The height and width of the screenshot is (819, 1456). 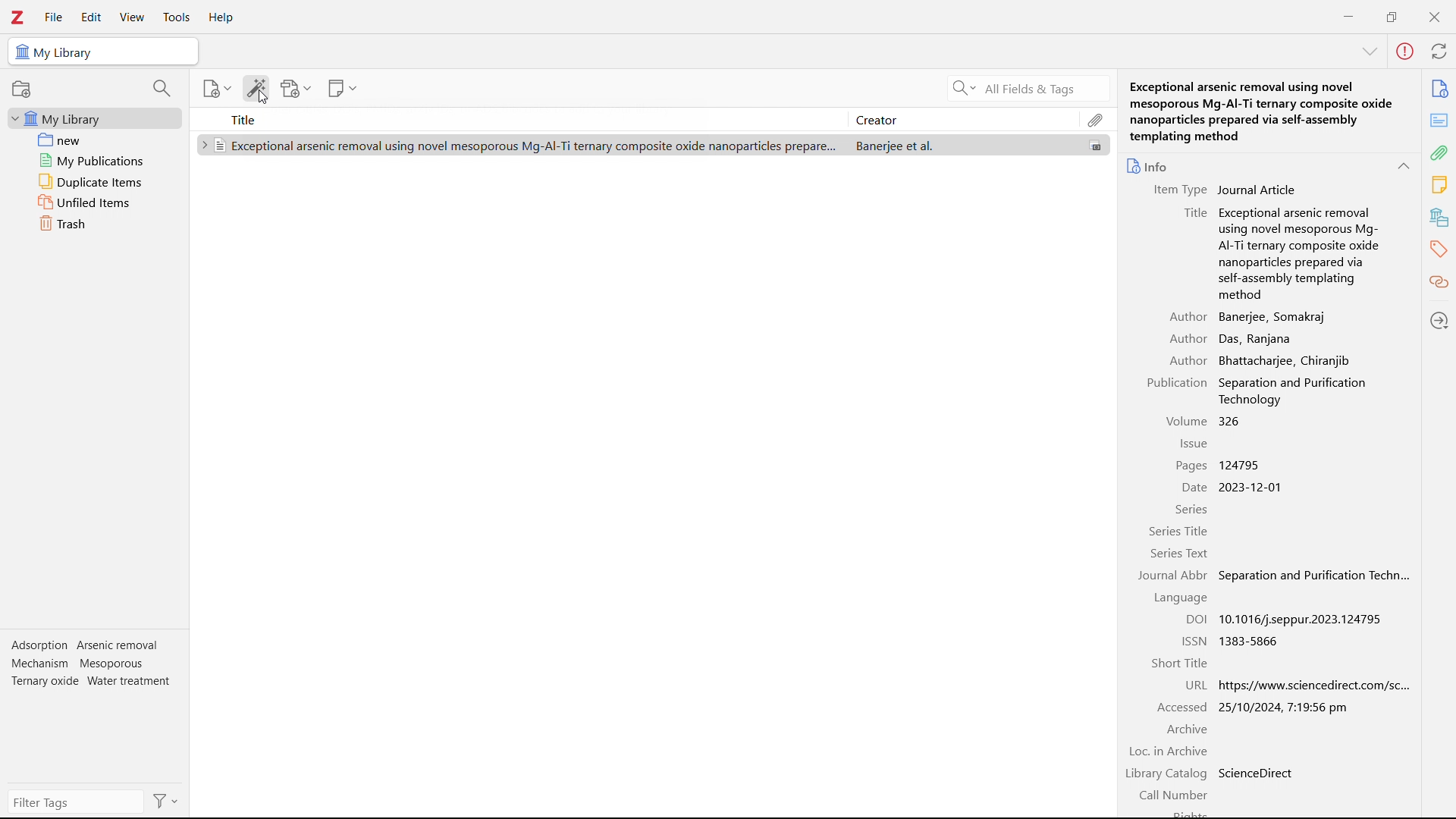 I want to click on search all fields & tags, so click(x=1025, y=89).